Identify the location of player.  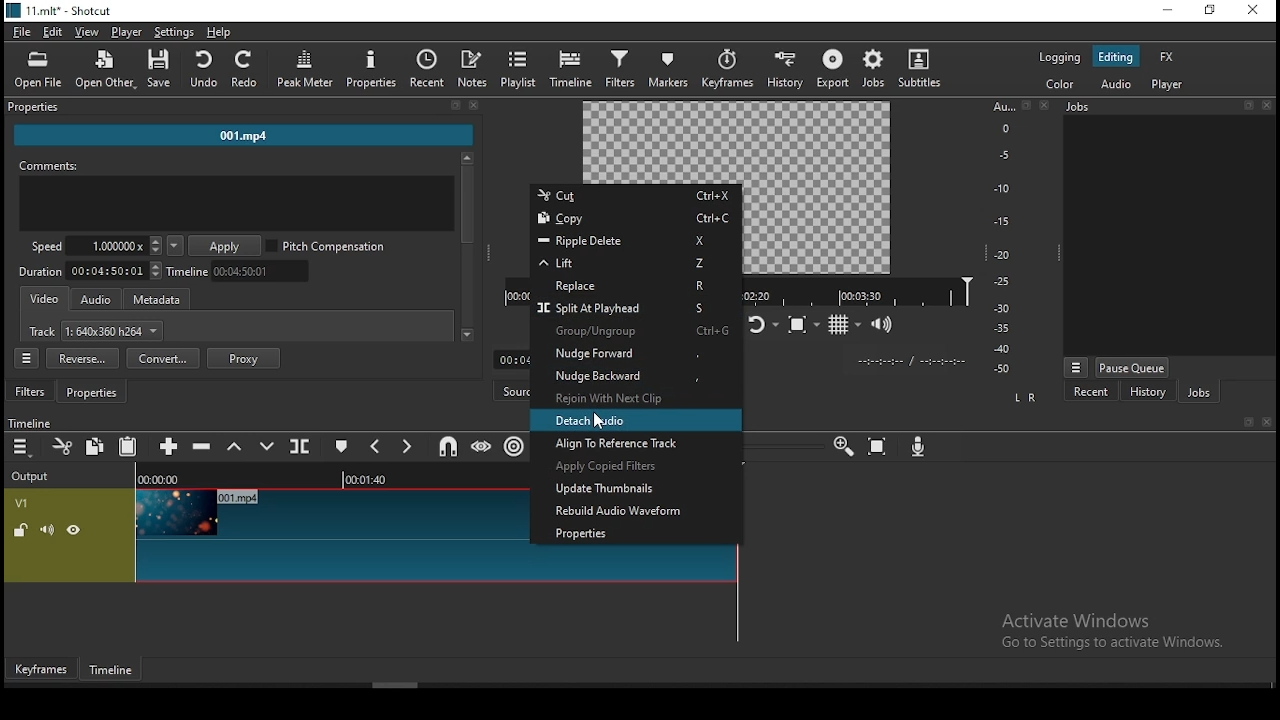
(1167, 84).